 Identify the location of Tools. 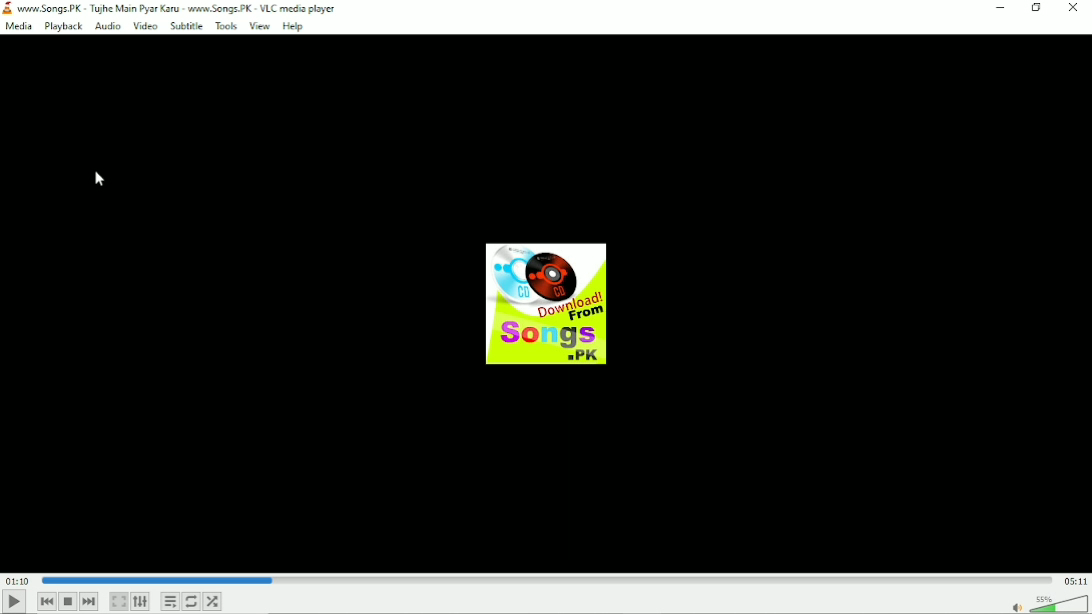
(226, 27).